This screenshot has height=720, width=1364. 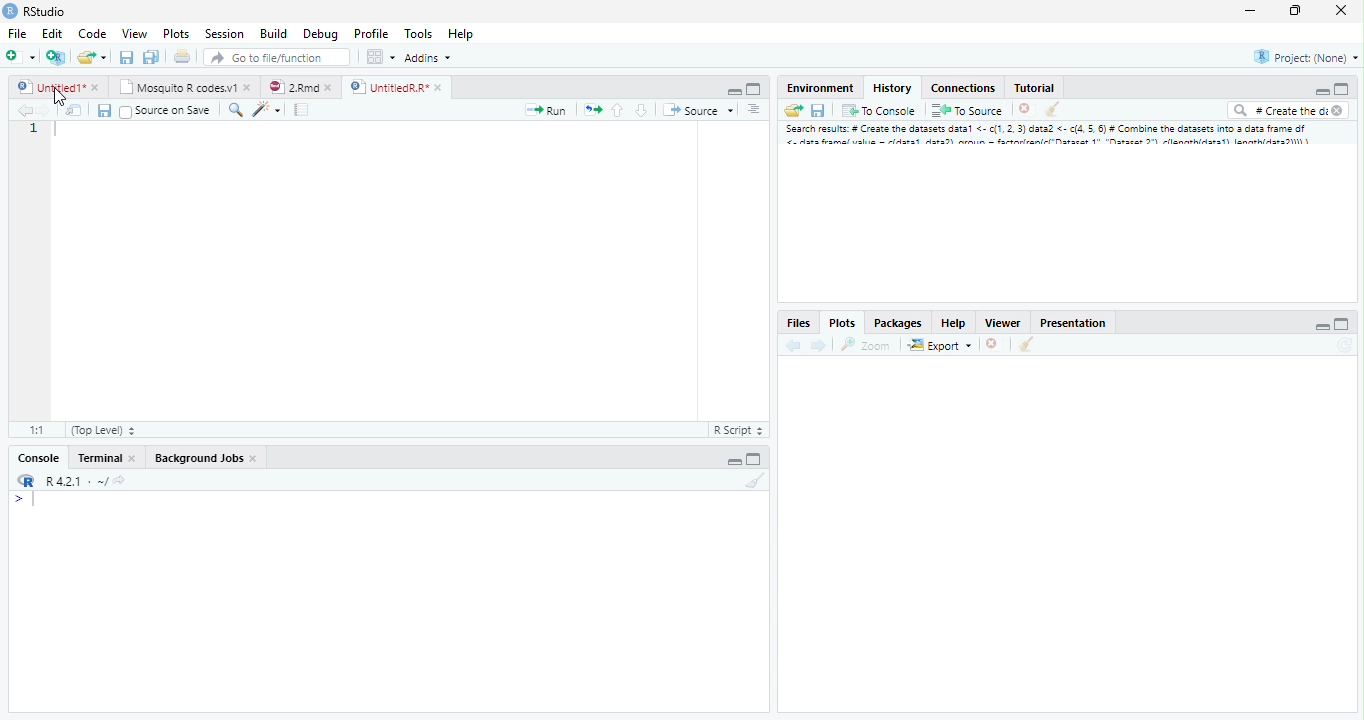 What do you see at coordinates (1286, 112) in the screenshot?
I see `# Create the di` at bounding box center [1286, 112].